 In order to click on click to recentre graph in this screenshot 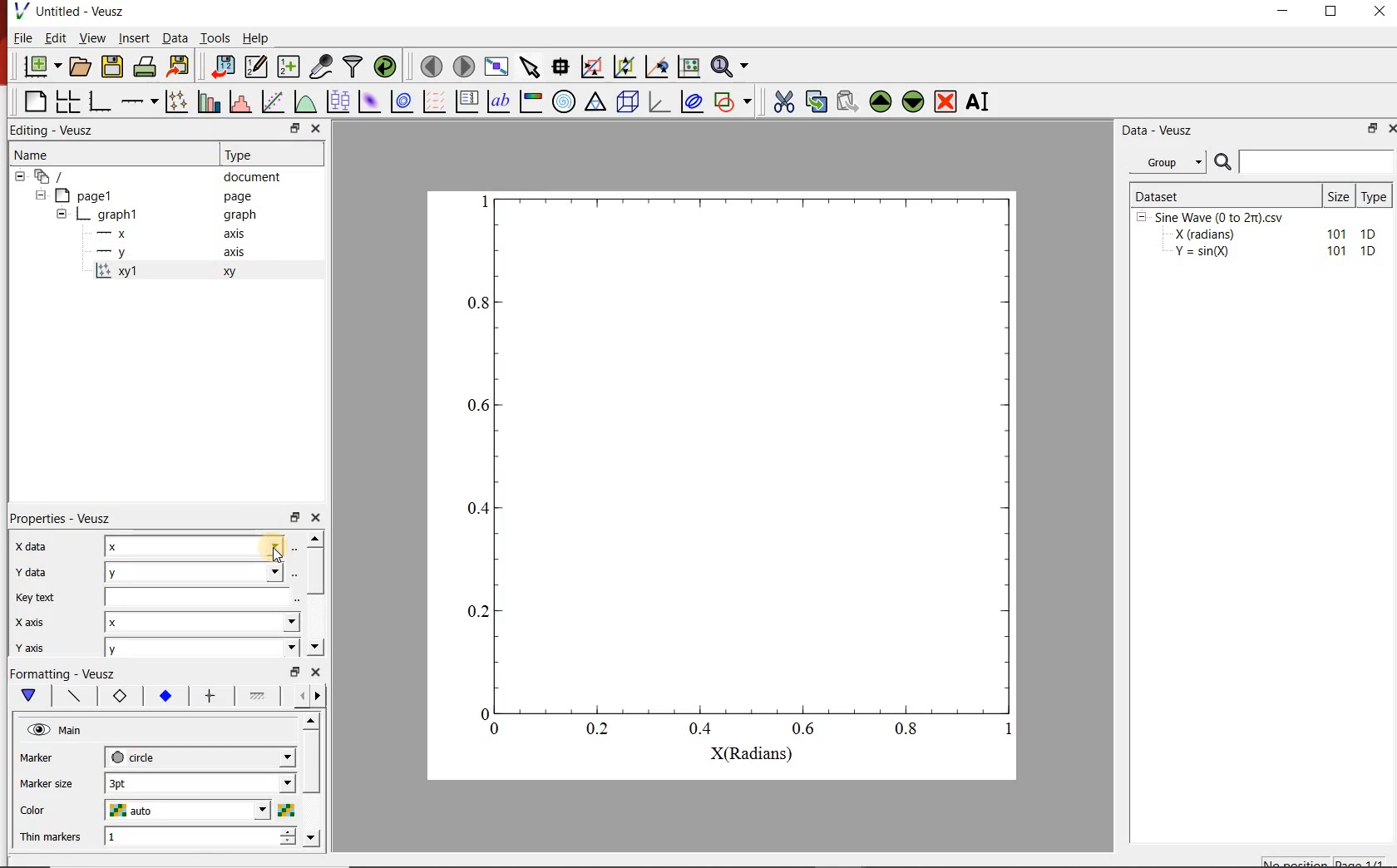, I will do `click(657, 64)`.